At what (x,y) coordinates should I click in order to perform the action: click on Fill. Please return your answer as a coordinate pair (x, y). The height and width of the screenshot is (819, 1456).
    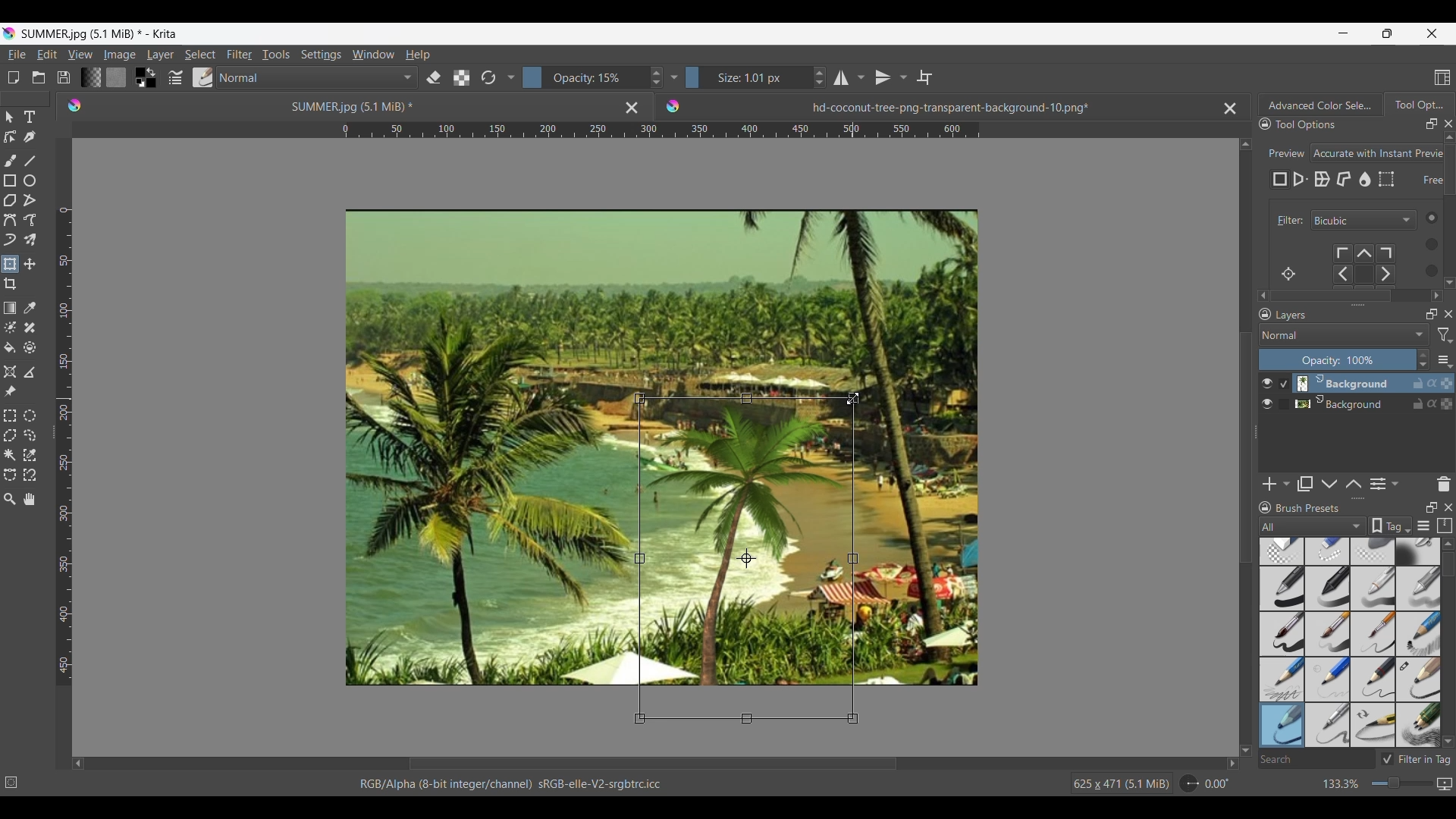
    Looking at the image, I should click on (10, 347).